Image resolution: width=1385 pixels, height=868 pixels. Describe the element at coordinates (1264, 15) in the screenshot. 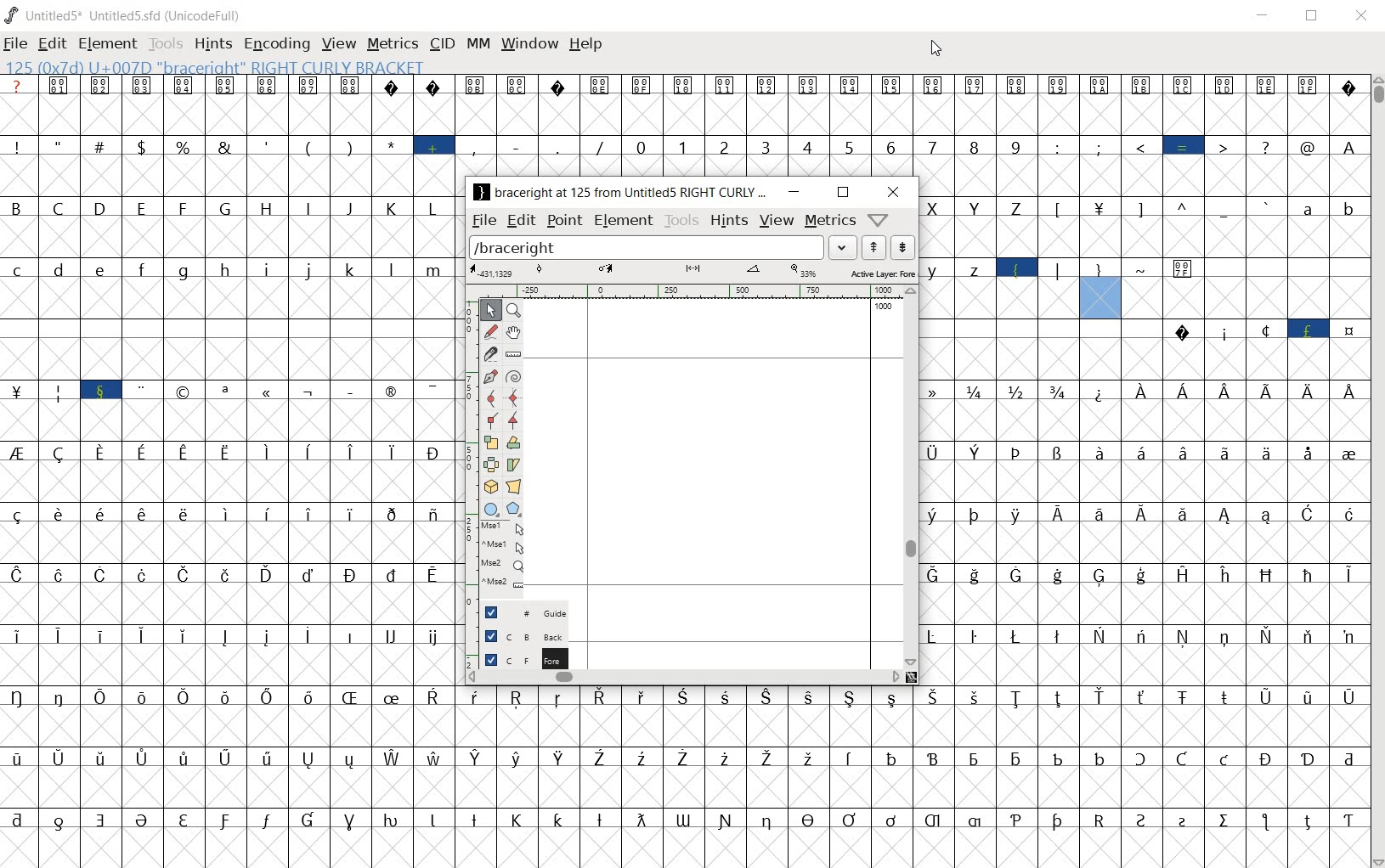

I see `MINIMIZE` at that location.